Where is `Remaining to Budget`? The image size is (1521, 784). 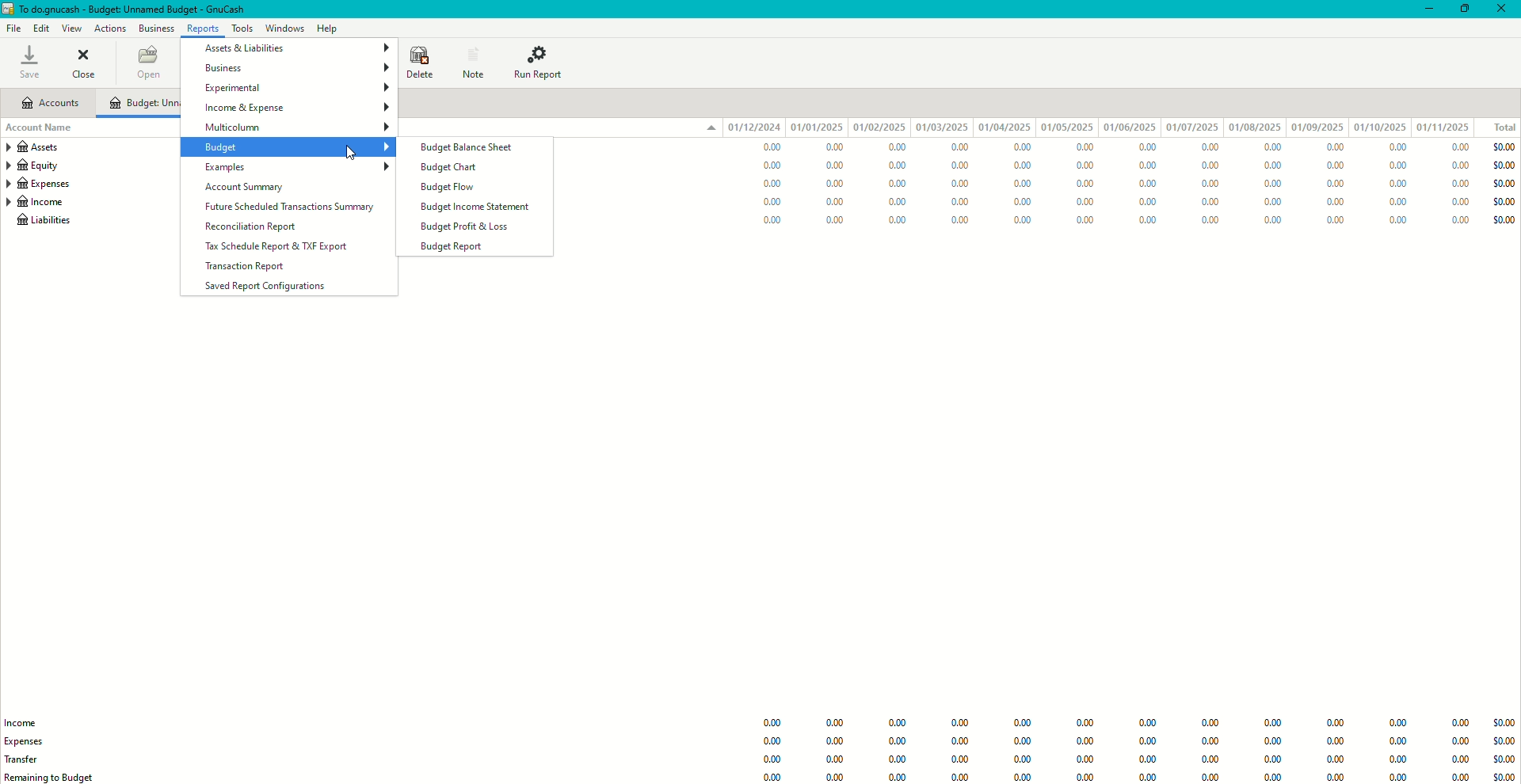 Remaining to Budget is located at coordinates (51, 778).